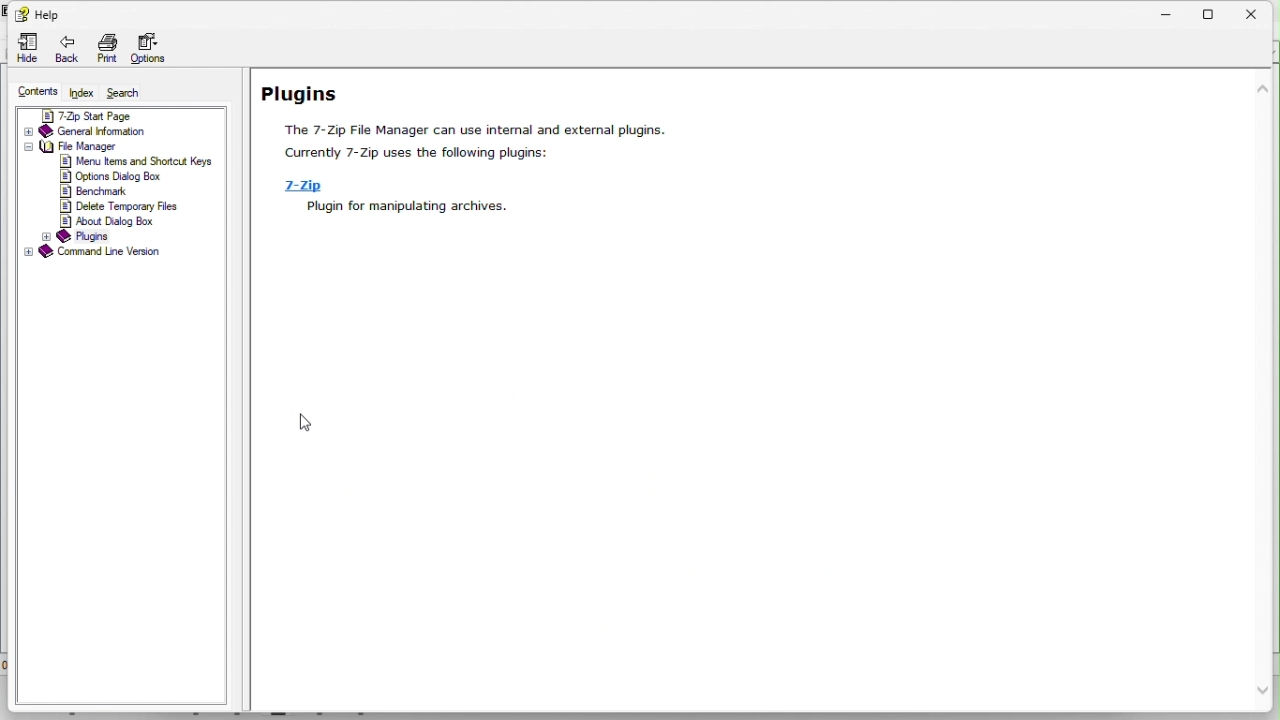 This screenshot has height=720, width=1280. What do you see at coordinates (80, 235) in the screenshot?
I see `plugins` at bounding box center [80, 235].